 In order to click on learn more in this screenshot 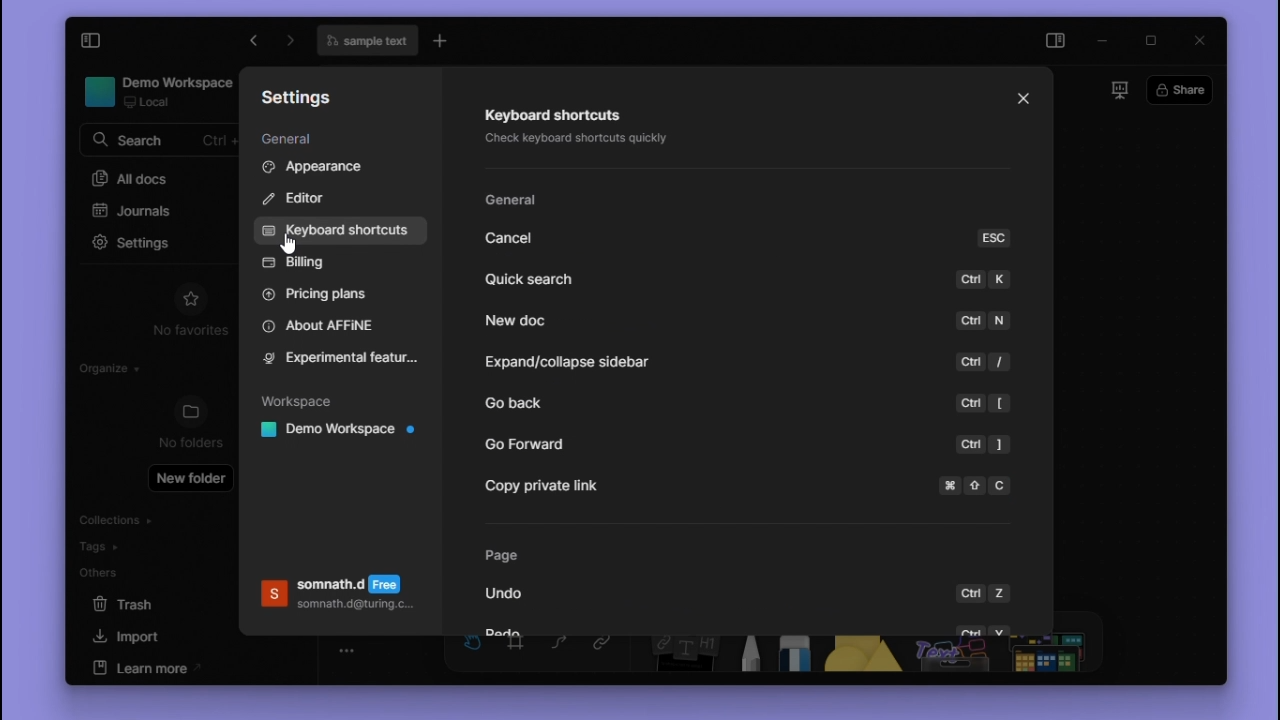, I will do `click(151, 667)`.